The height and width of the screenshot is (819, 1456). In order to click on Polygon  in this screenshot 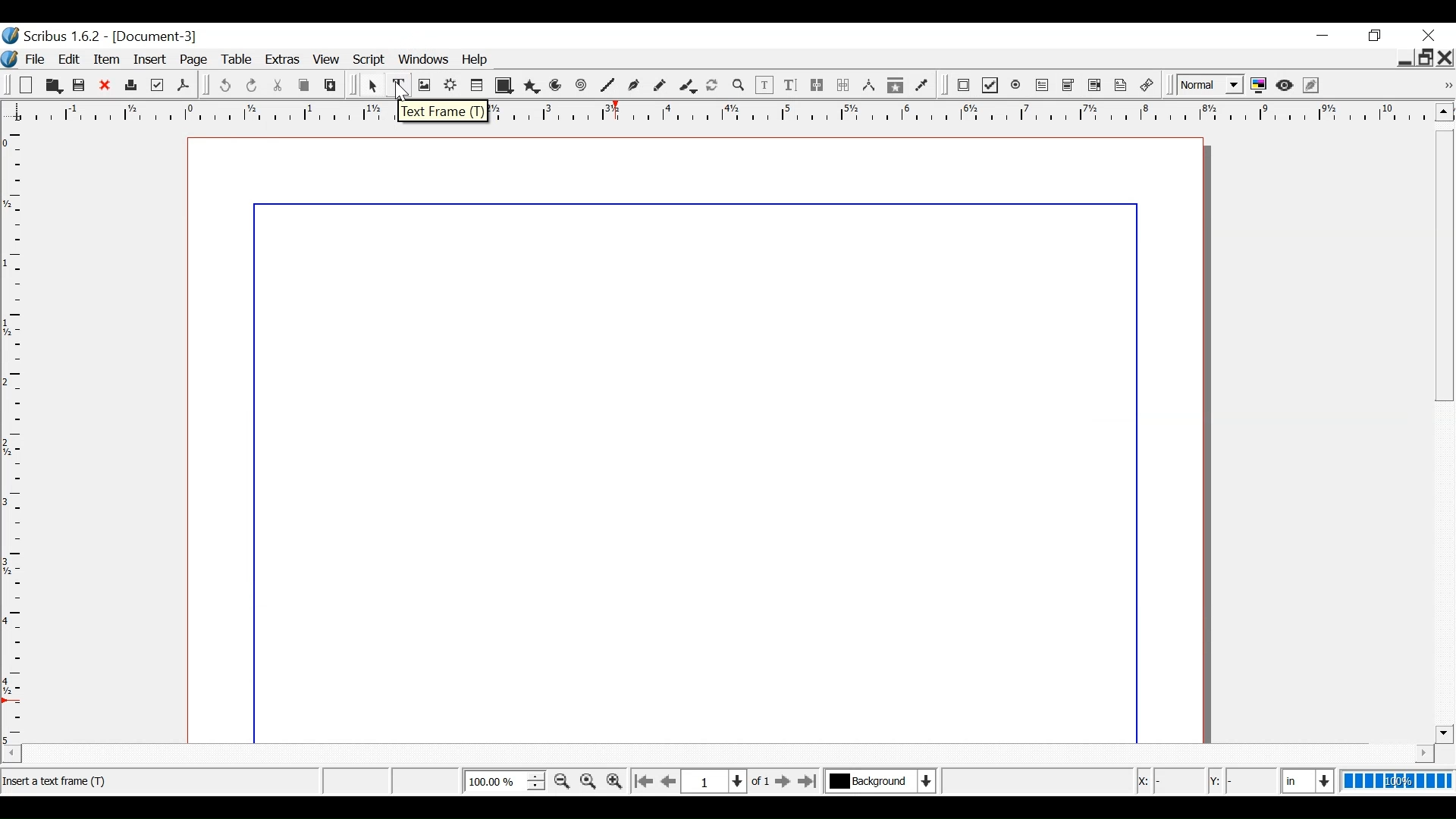, I will do `click(532, 86)`.